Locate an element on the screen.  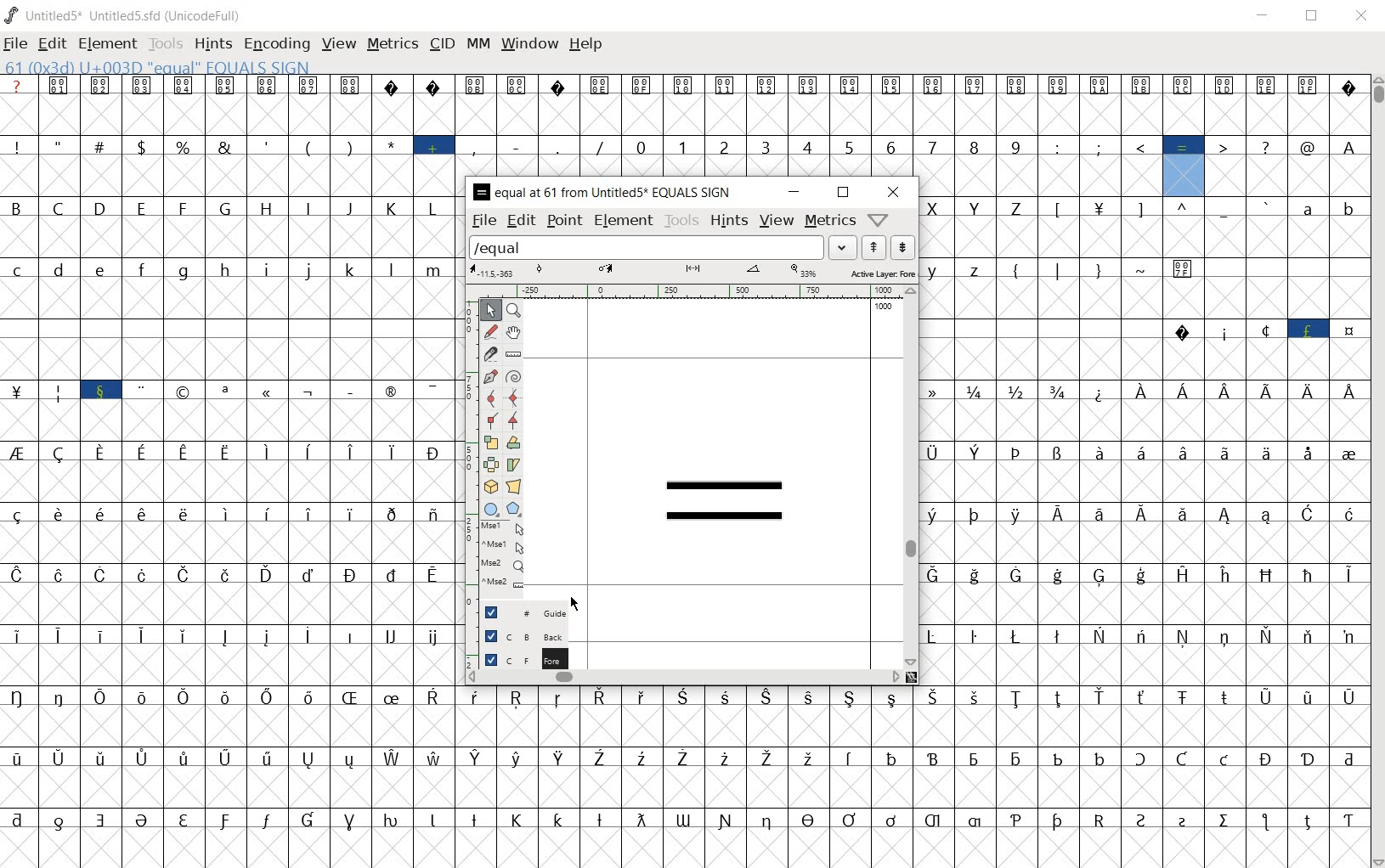
edit is located at coordinates (52, 43).